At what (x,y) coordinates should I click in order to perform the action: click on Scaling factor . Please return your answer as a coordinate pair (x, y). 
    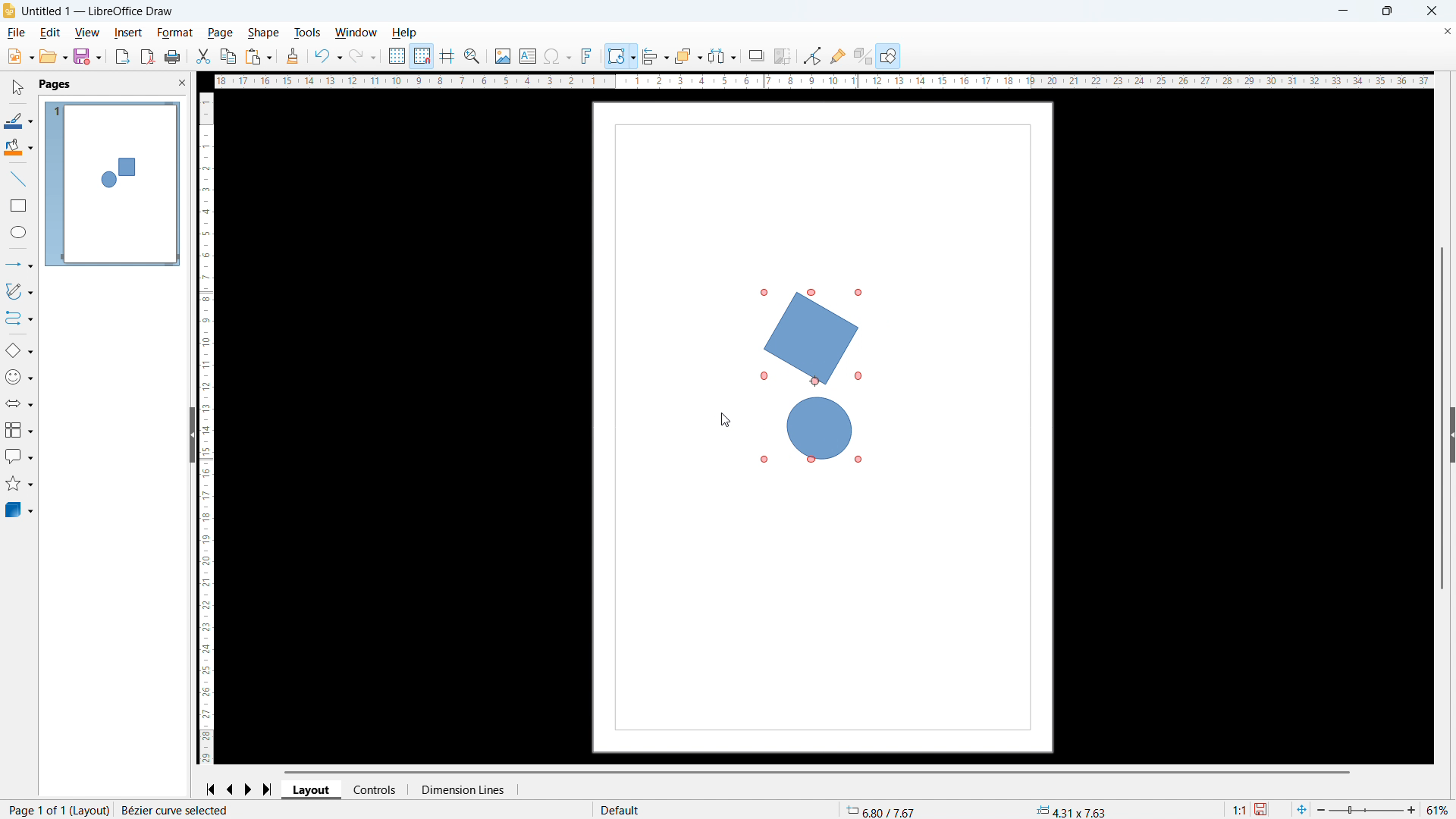
    Looking at the image, I should click on (1241, 810).